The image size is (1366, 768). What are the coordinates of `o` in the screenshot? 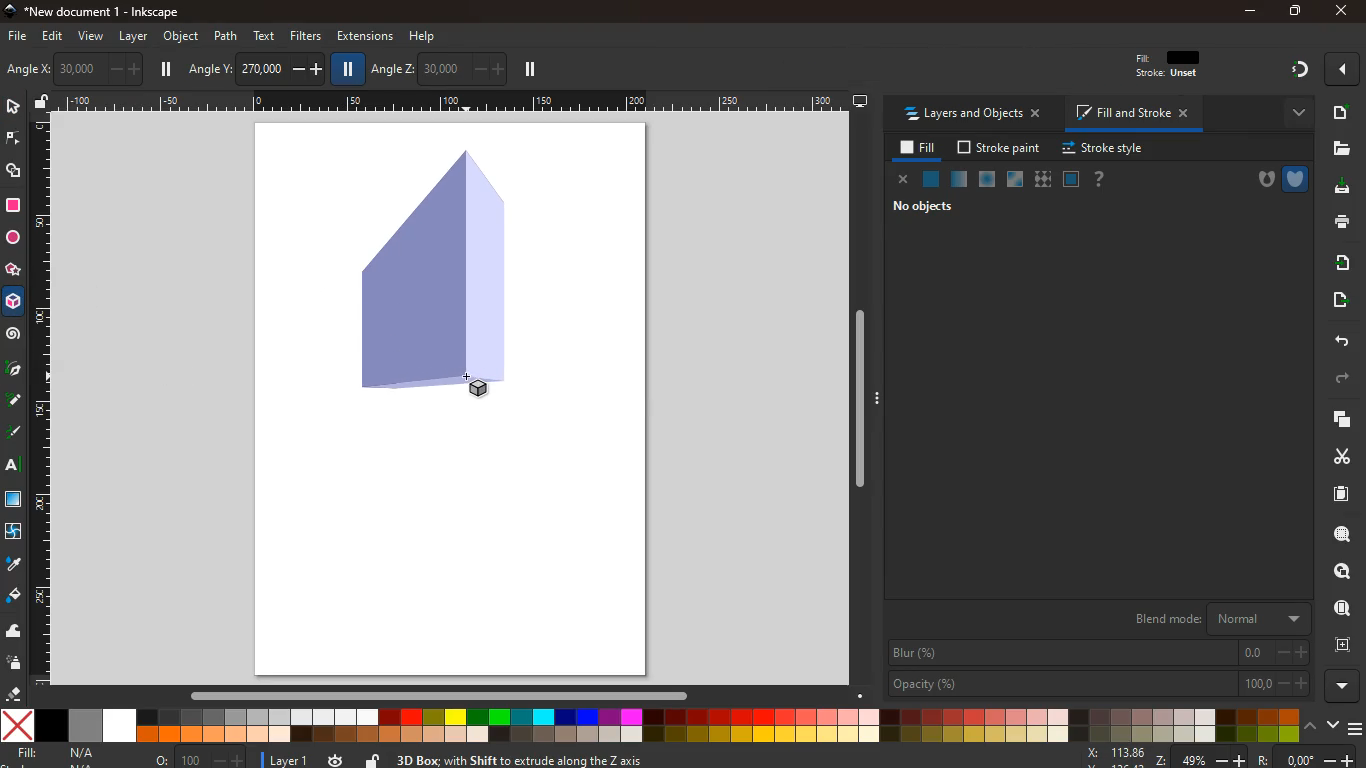 It's located at (196, 758).